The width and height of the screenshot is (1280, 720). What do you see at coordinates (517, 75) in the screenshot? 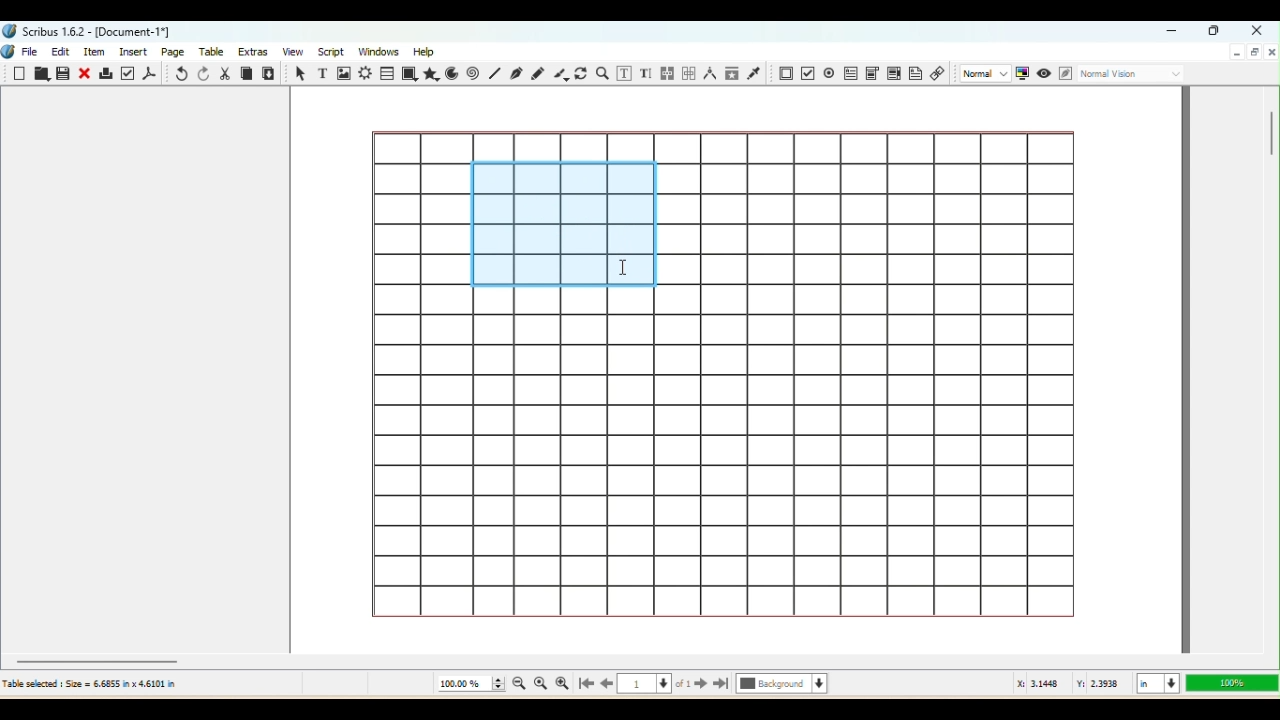
I see `Bezier curve` at bounding box center [517, 75].